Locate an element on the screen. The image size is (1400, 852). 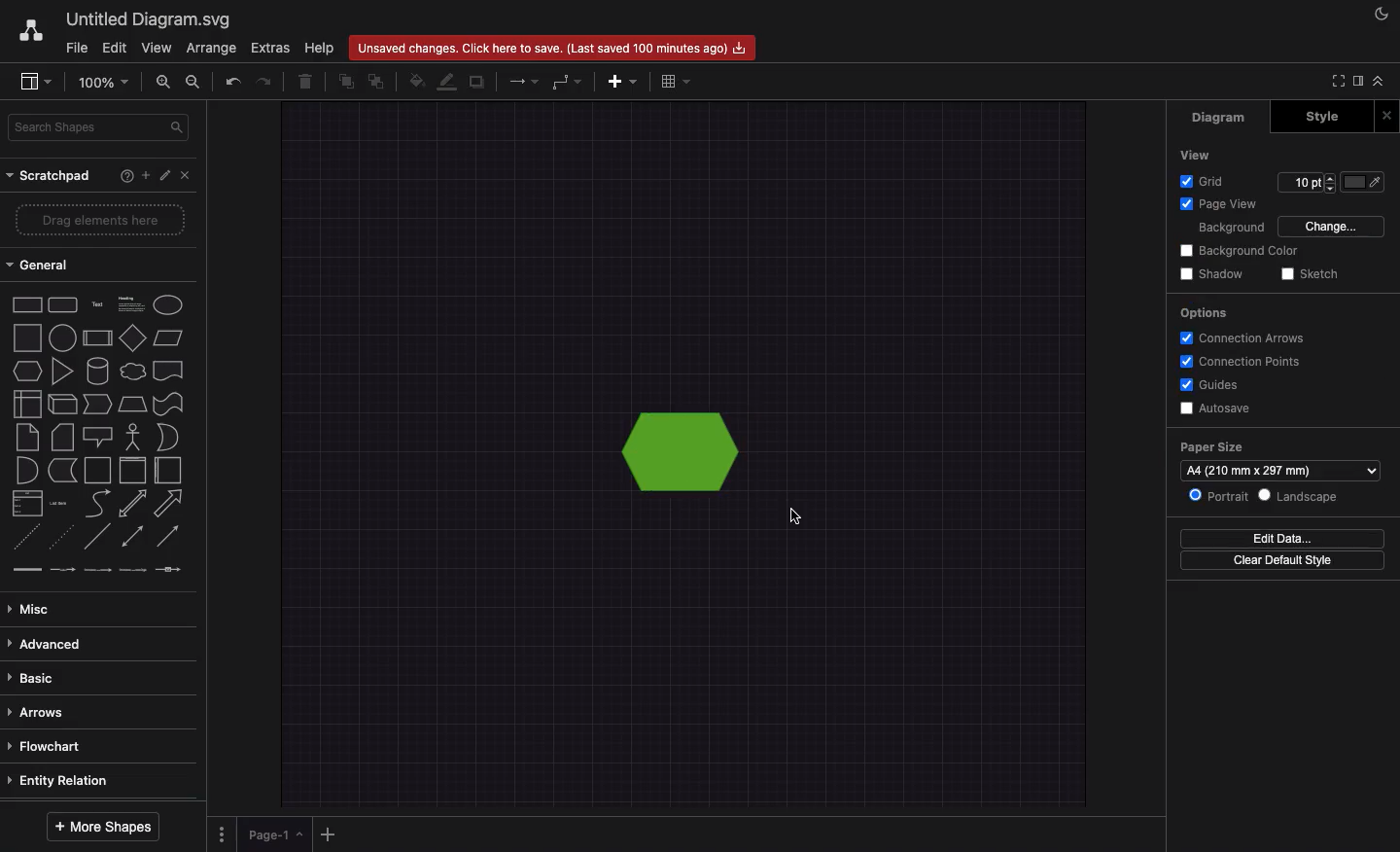
Close is located at coordinates (1386, 115).